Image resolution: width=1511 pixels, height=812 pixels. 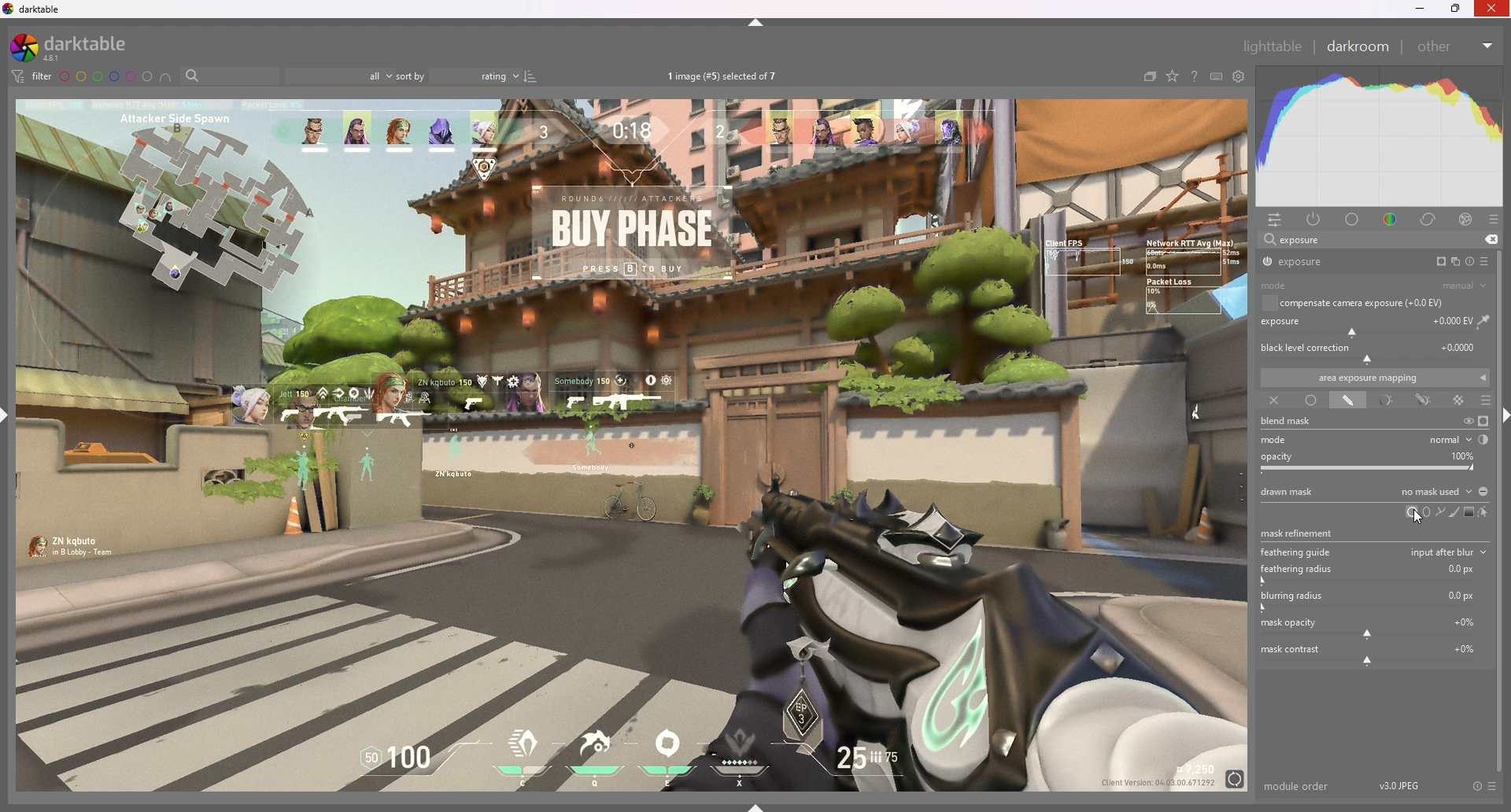 What do you see at coordinates (1456, 46) in the screenshot?
I see `other` at bounding box center [1456, 46].